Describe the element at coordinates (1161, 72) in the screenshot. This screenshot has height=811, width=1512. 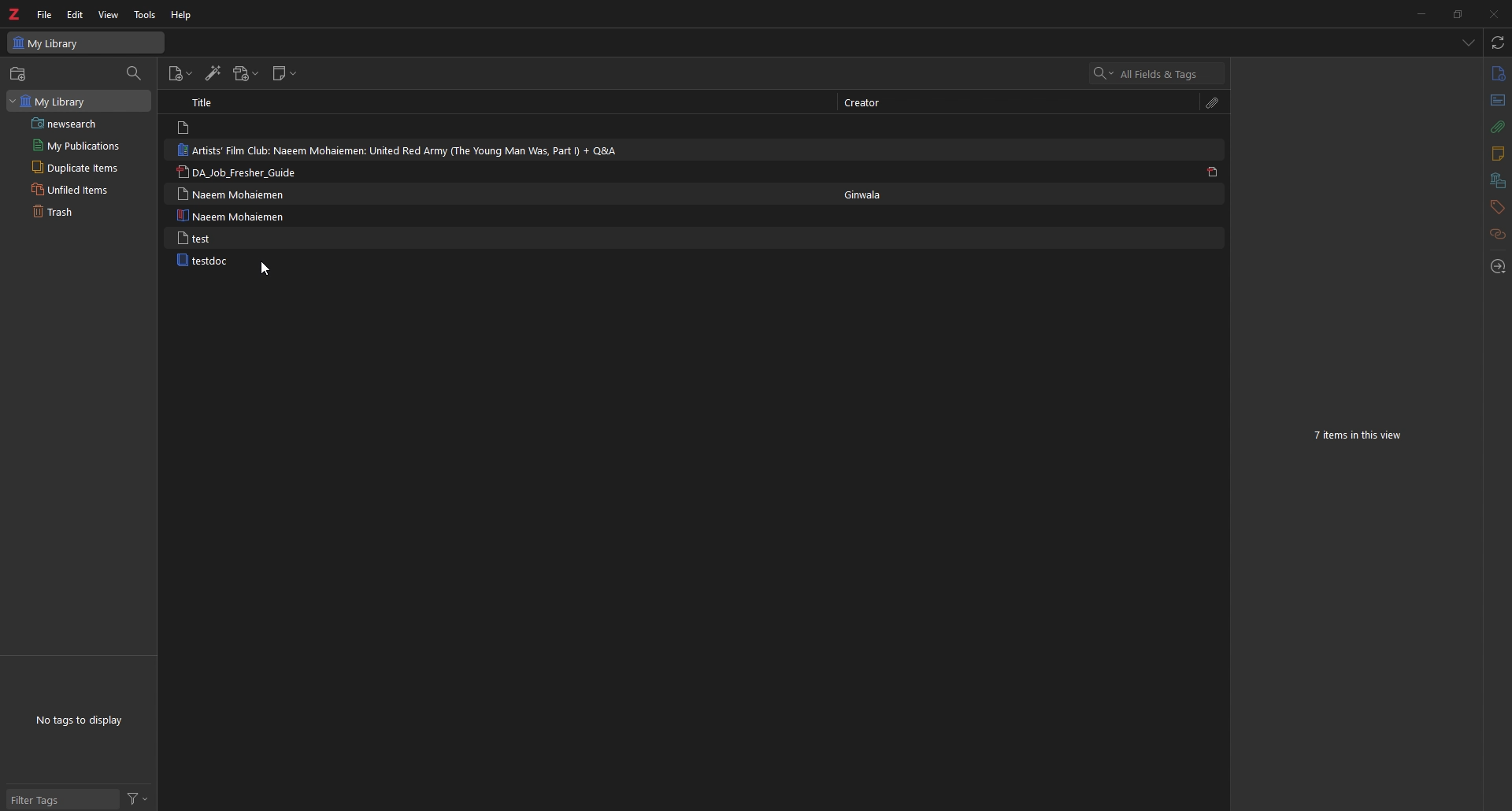
I see `search` at that location.